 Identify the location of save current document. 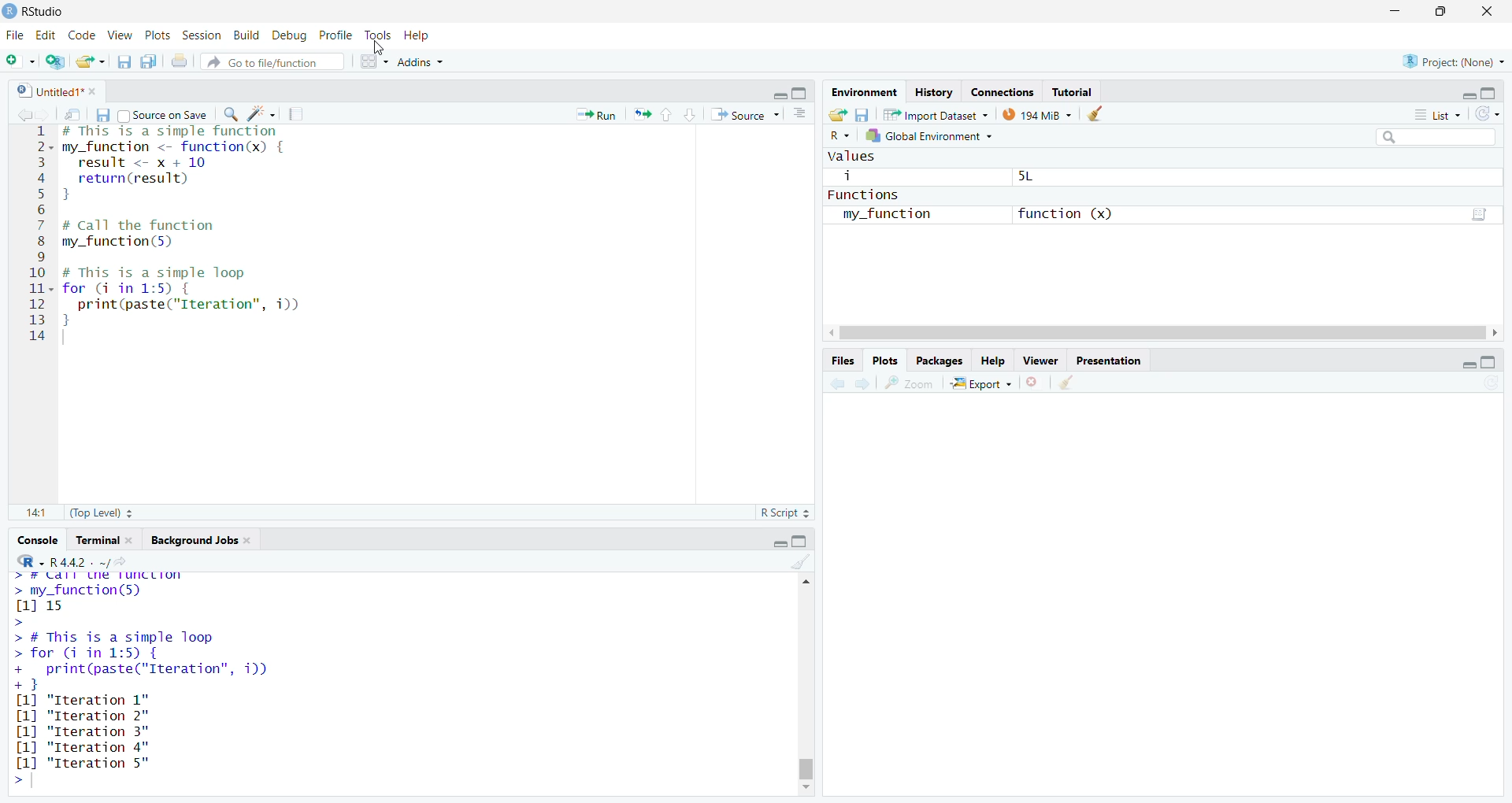
(102, 113).